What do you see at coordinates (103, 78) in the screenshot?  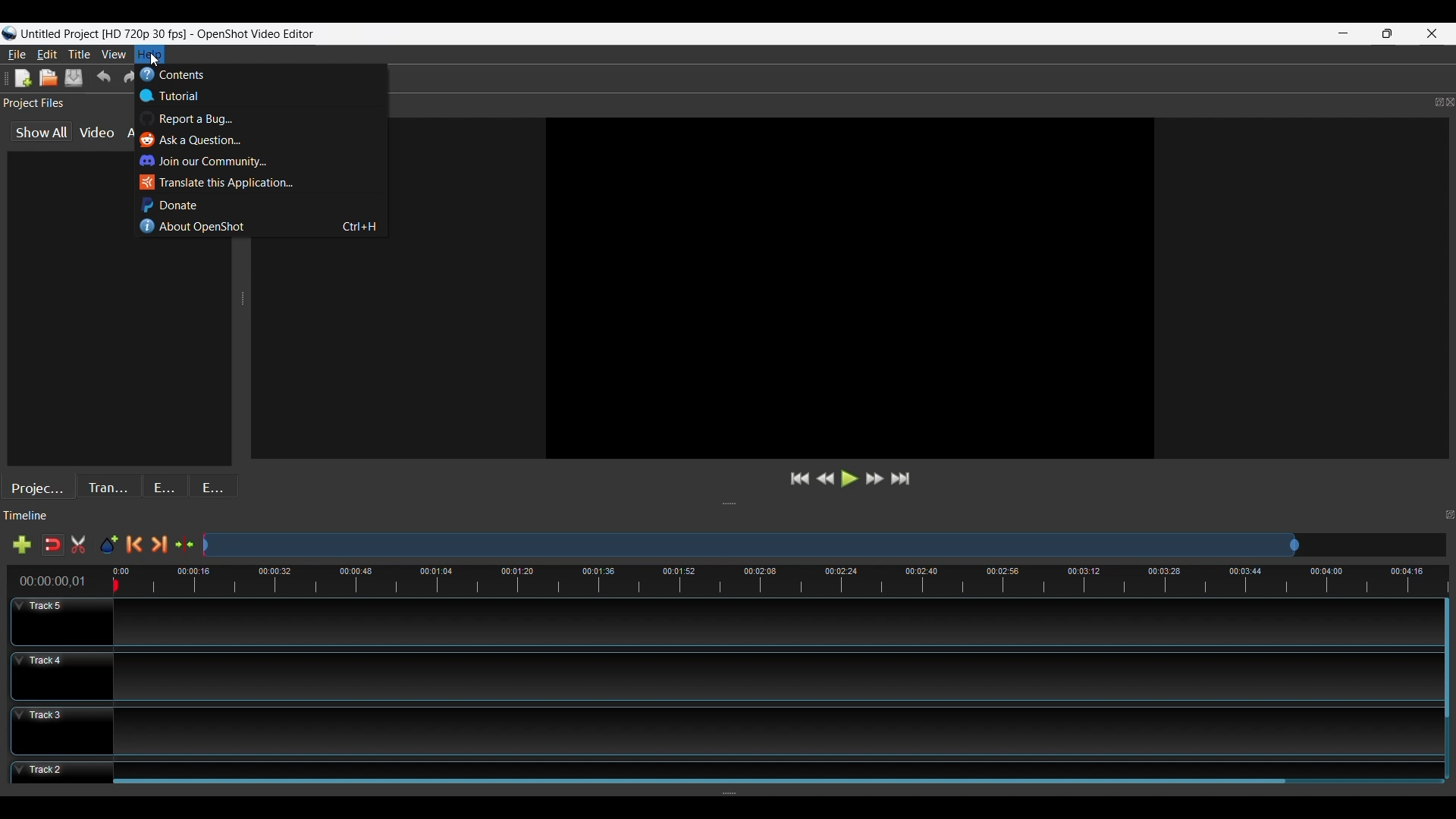 I see `Undo` at bounding box center [103, 78].